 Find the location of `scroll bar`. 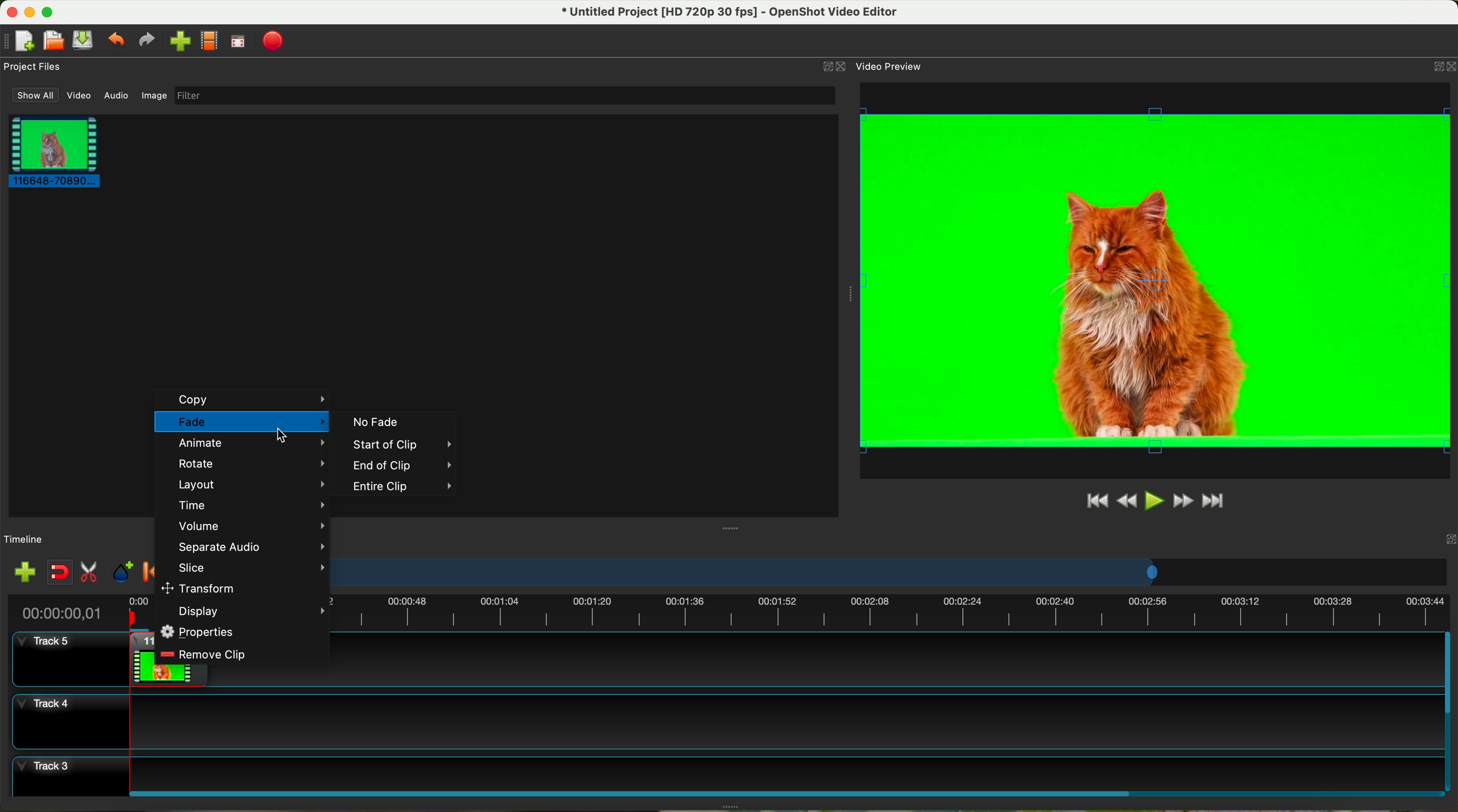

scroll bar is located at coordinates (784, 792).